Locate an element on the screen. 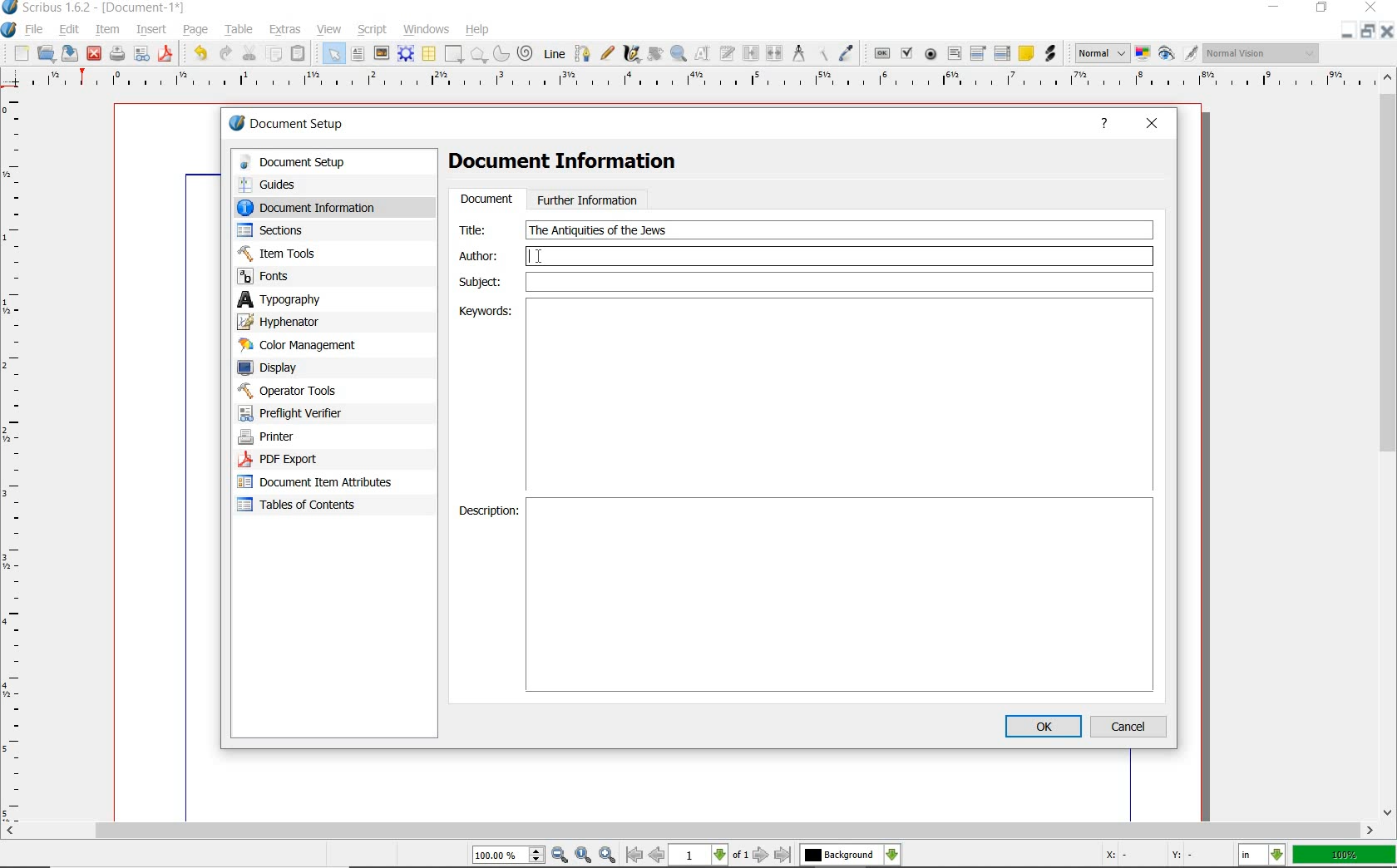  operator tools is located at coordinates (310, 391).